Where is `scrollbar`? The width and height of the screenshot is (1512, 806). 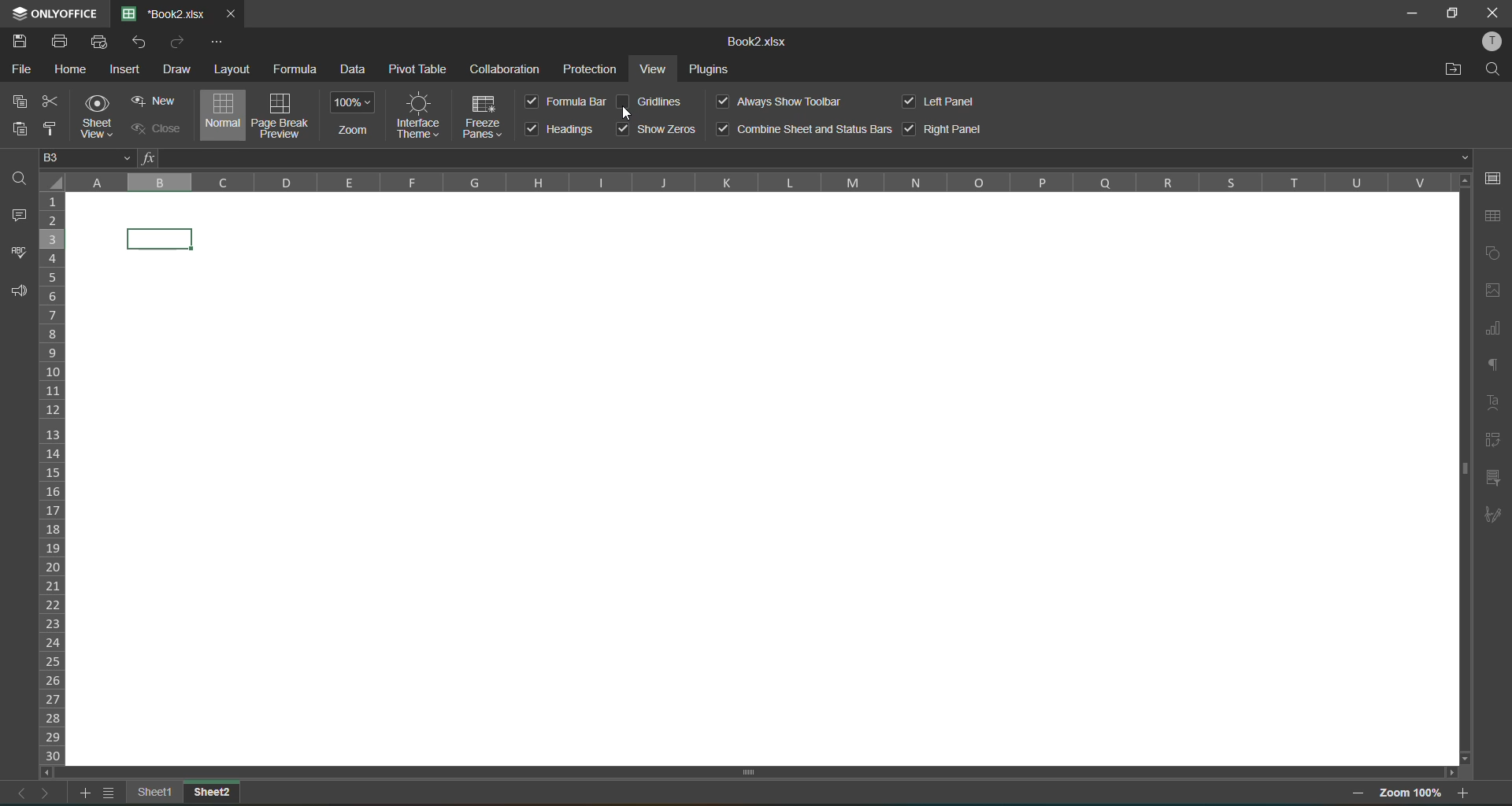 scrollbar is located at coordinates (750, 773).